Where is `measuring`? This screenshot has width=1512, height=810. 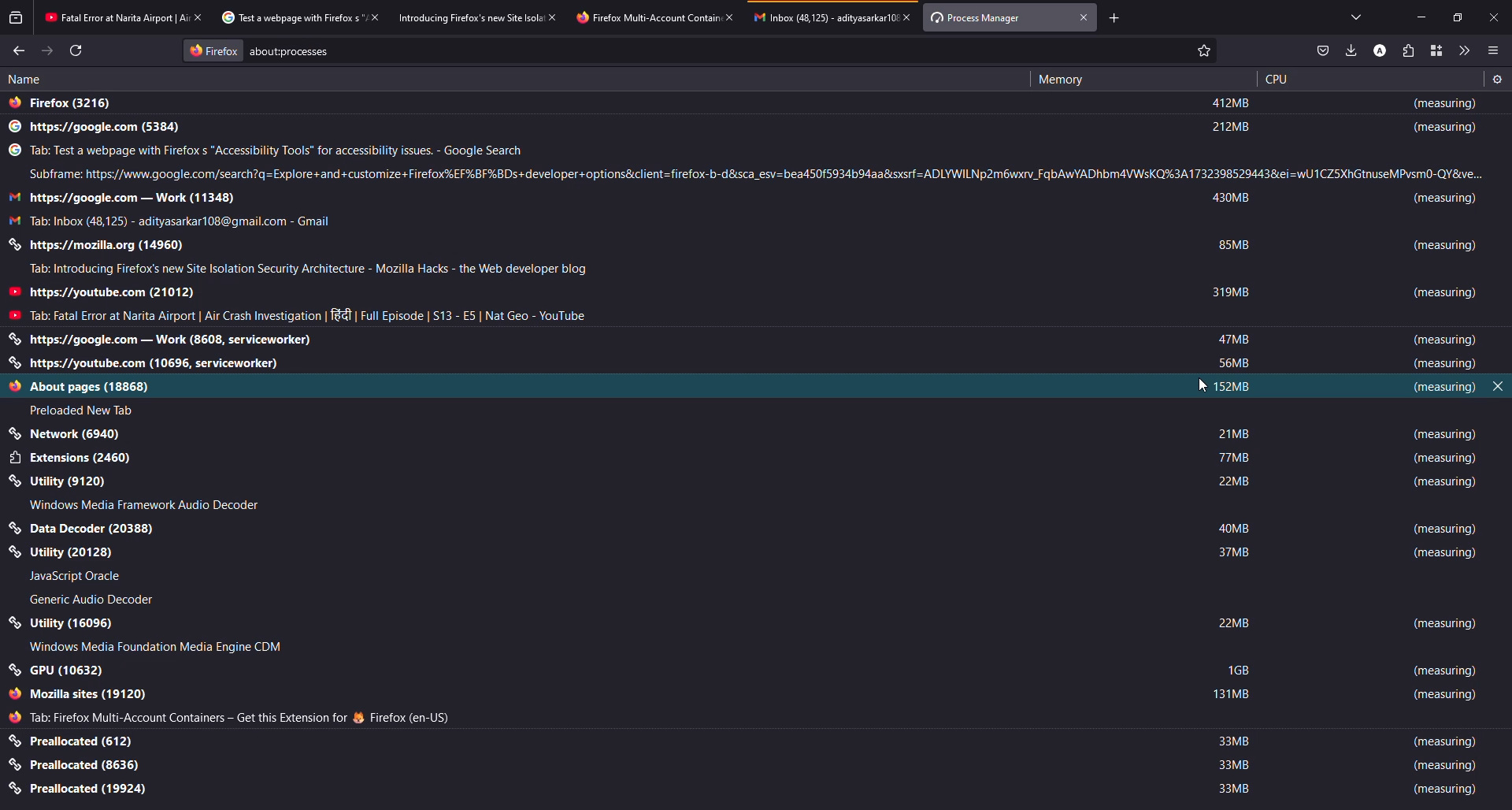
measuring is located at coordinates (1442, 765).